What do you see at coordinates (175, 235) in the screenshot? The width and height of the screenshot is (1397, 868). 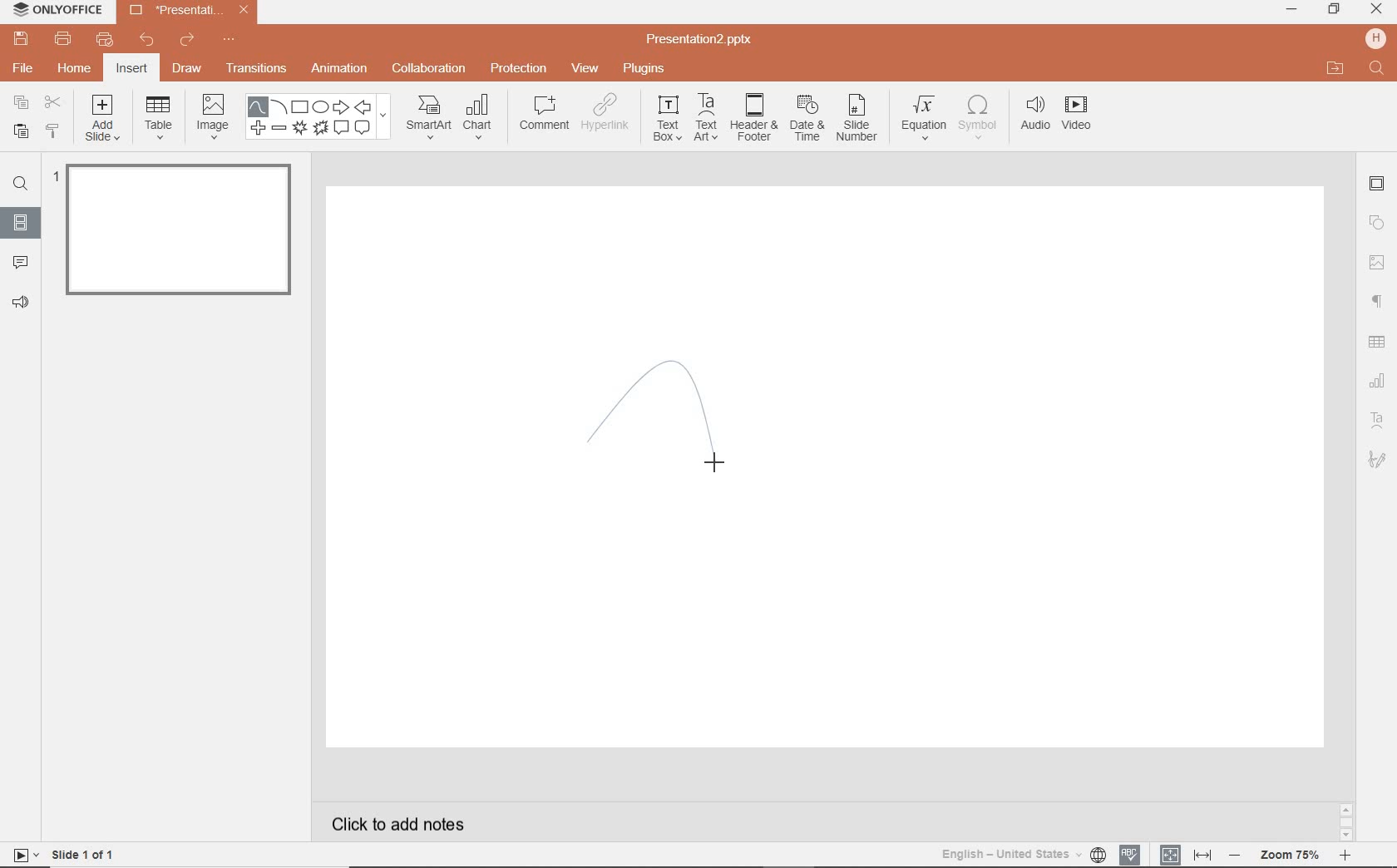 I see `SLIDE1` at bounding box center [175, 235].